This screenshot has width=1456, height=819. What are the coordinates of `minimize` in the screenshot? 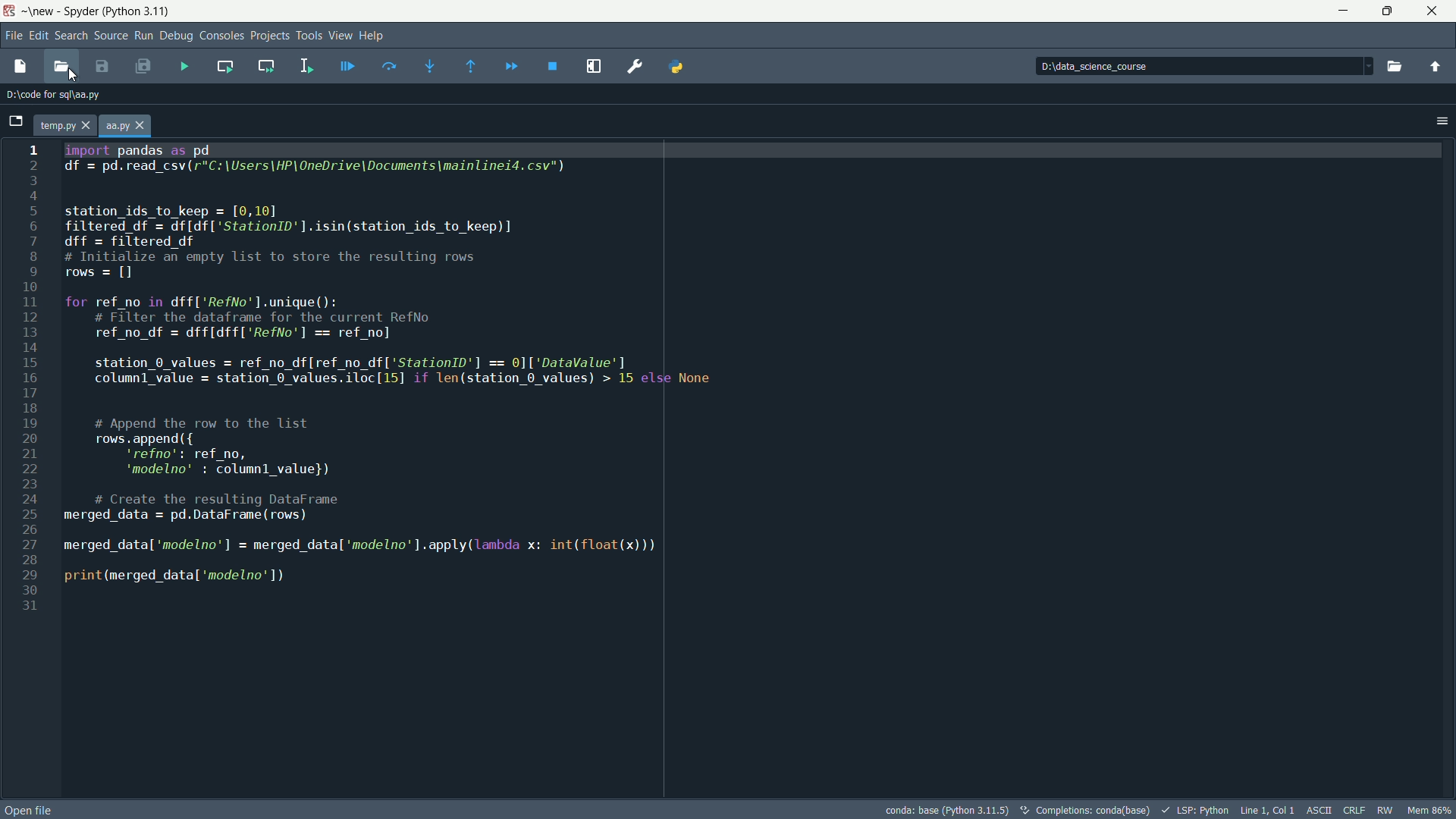 It's located at (1344, 10).